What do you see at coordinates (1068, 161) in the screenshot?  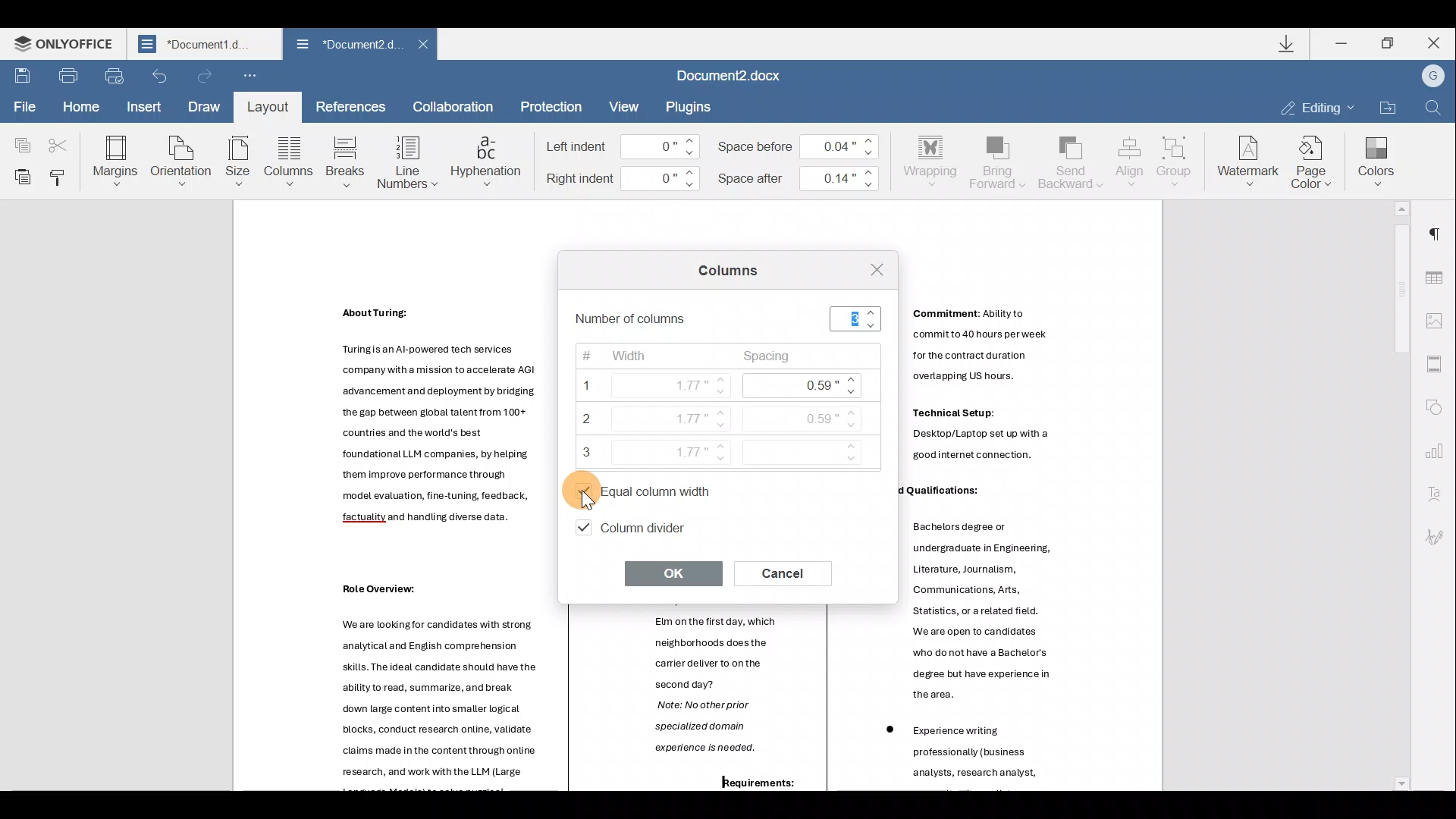 I see `Send backward` at bounding box center [1068, 161].